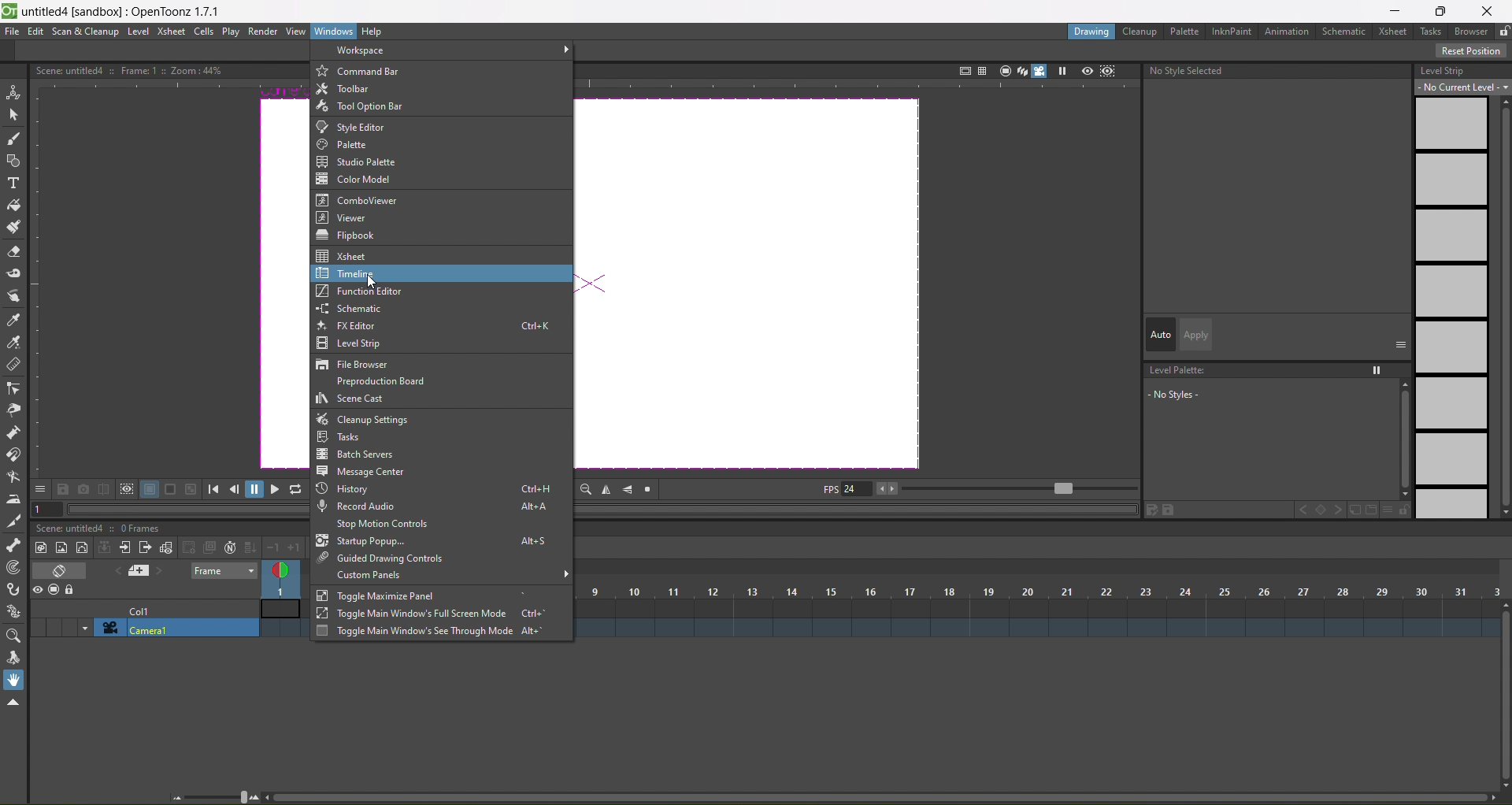 The image size is (1512, 805). I want to click on message enter, so click(361, 471).